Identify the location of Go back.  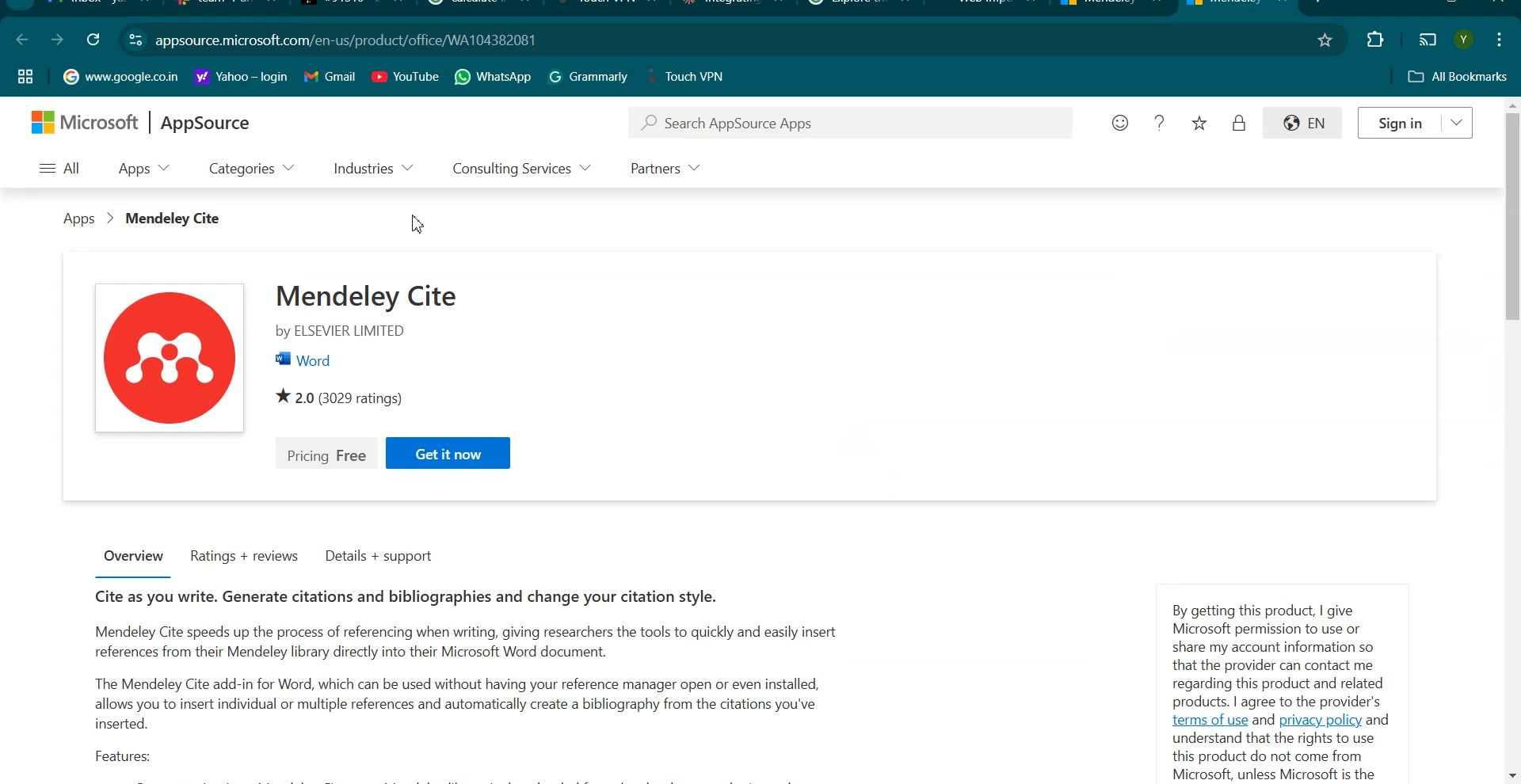
(22, 38).